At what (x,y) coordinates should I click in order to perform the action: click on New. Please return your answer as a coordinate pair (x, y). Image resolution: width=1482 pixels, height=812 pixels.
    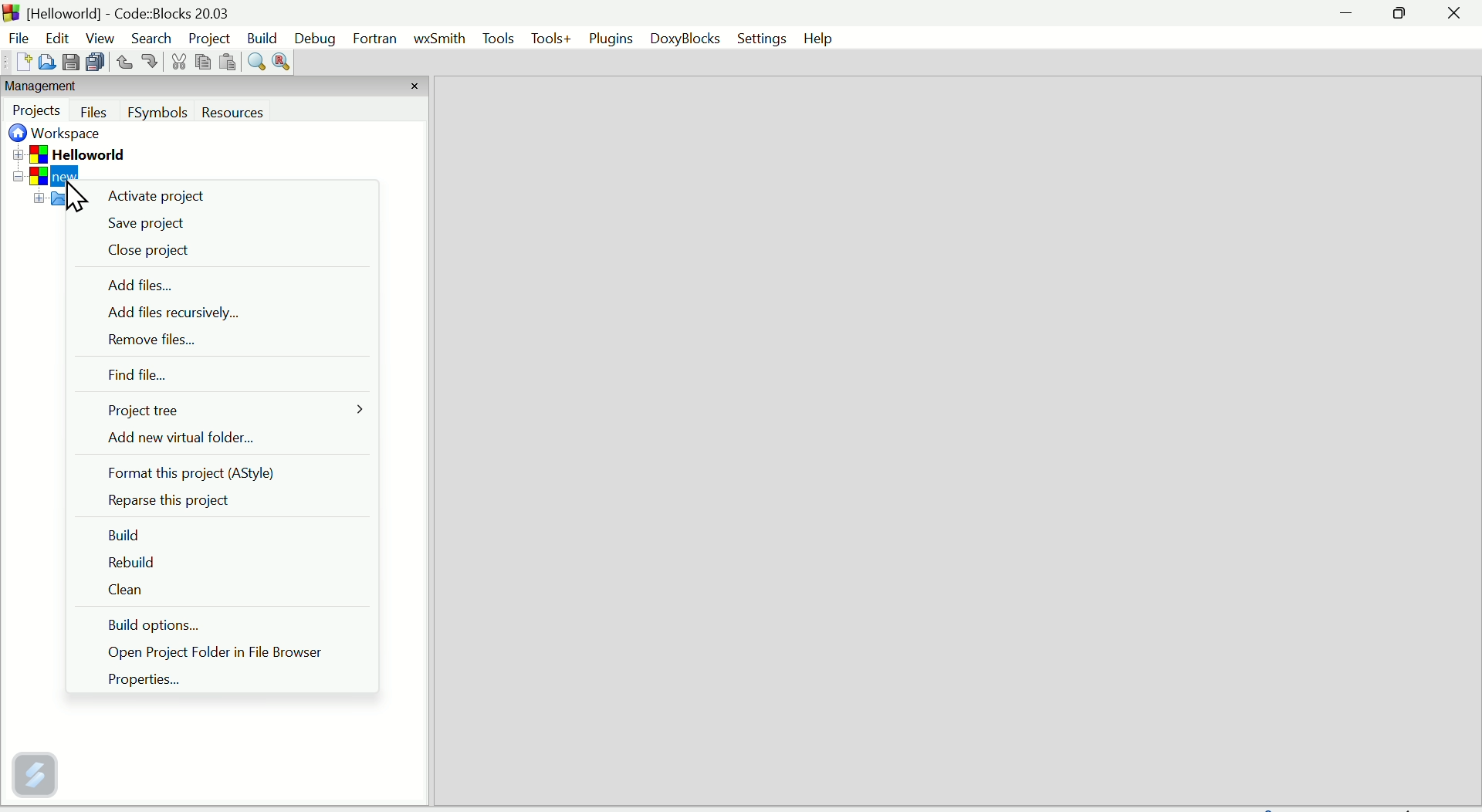
    Looking at the image, I should click on (59, 176).